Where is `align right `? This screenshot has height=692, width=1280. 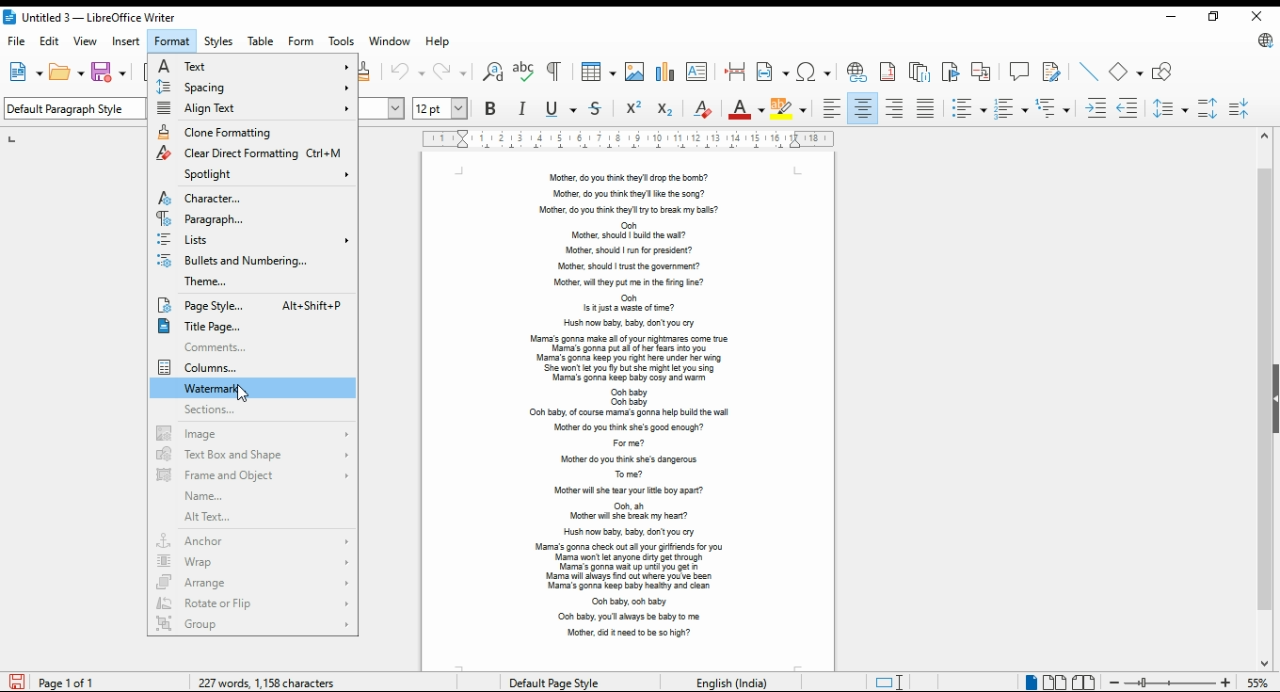 align right  is located at coordinates (897, 108).